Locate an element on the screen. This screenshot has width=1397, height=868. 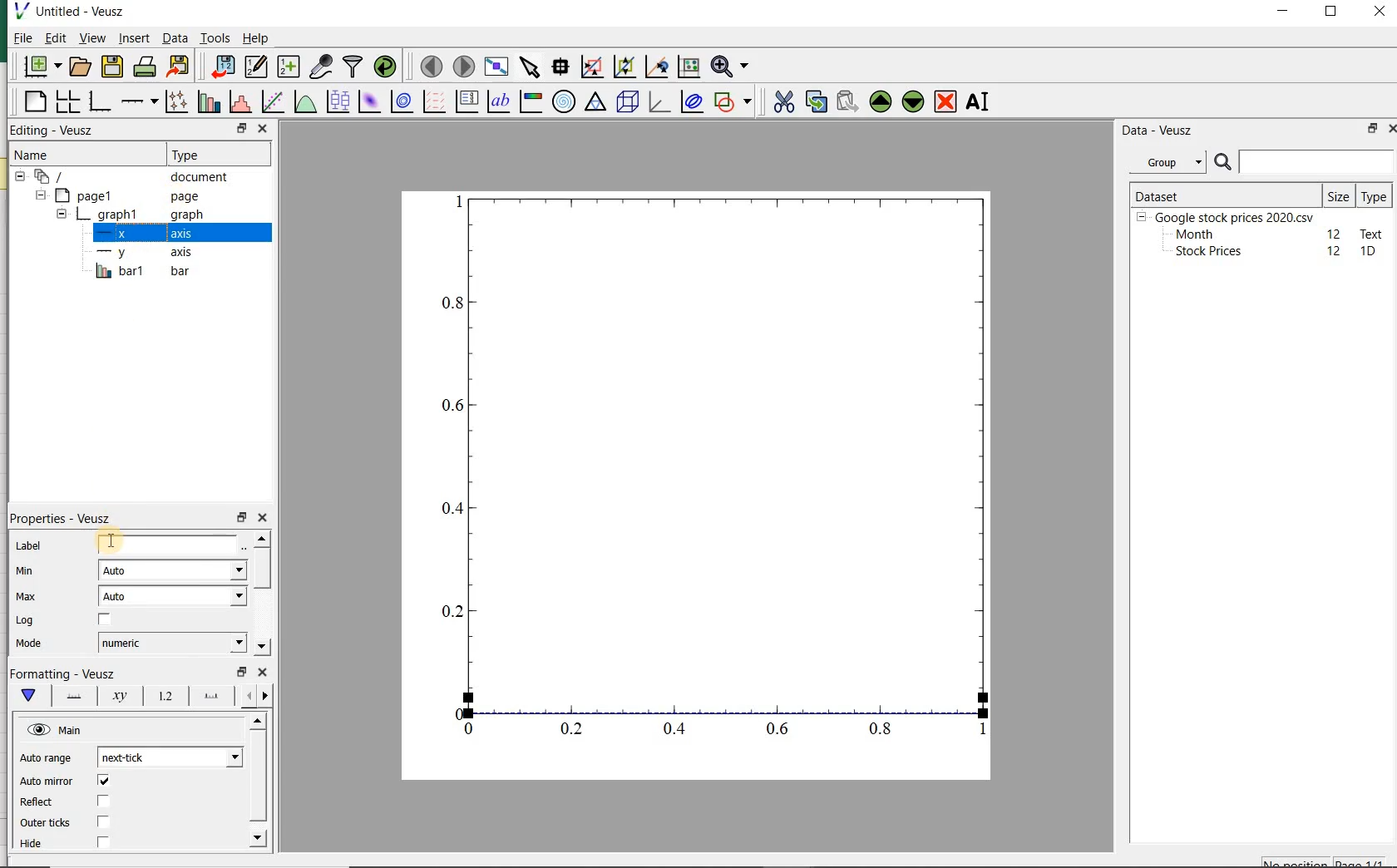
DATASET is located at coordinates (1224, 193).